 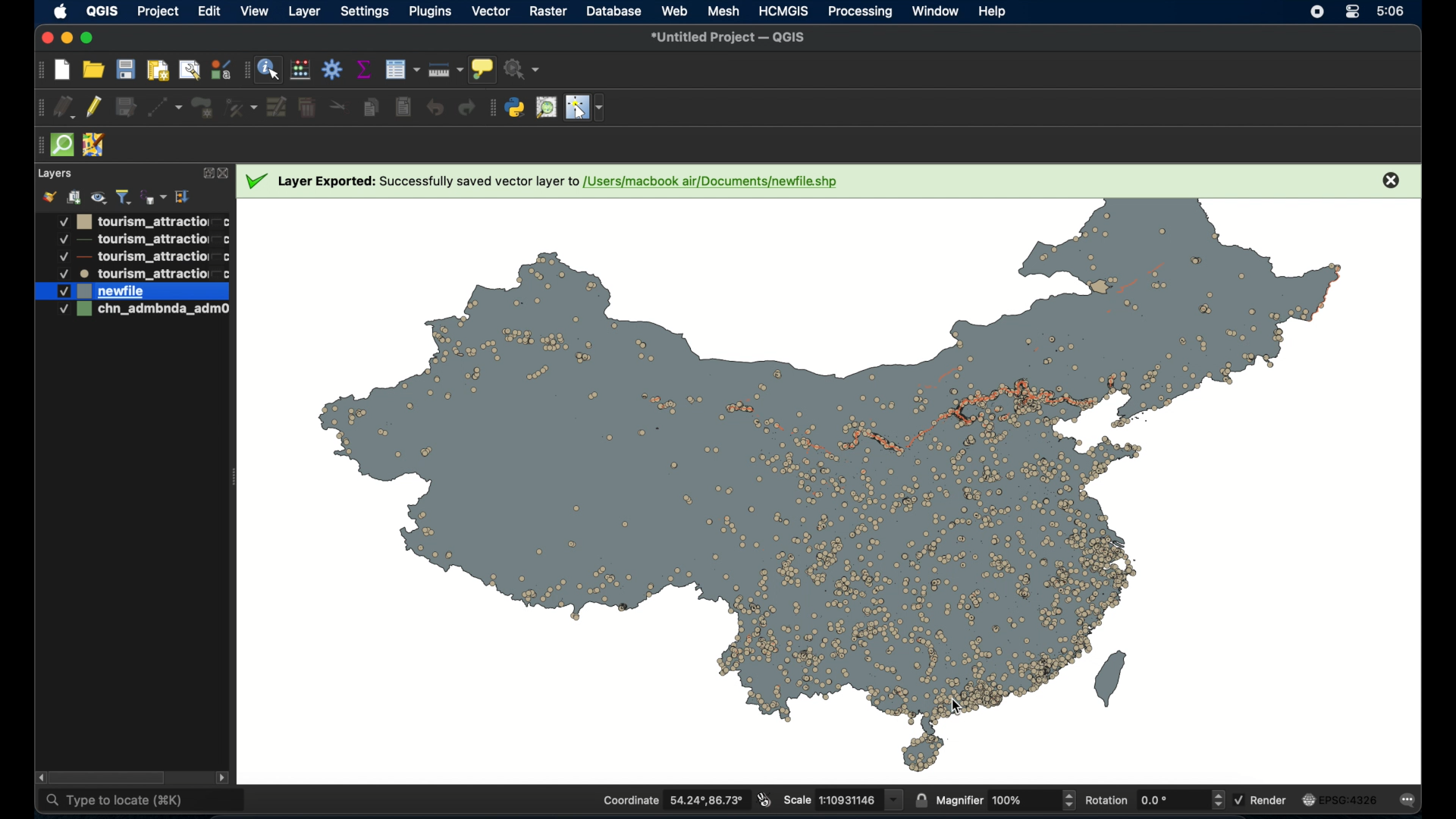 What do you see at coordinates (93, 68) in the screenshot?
I see `open project` at bounding box center [93, 68].